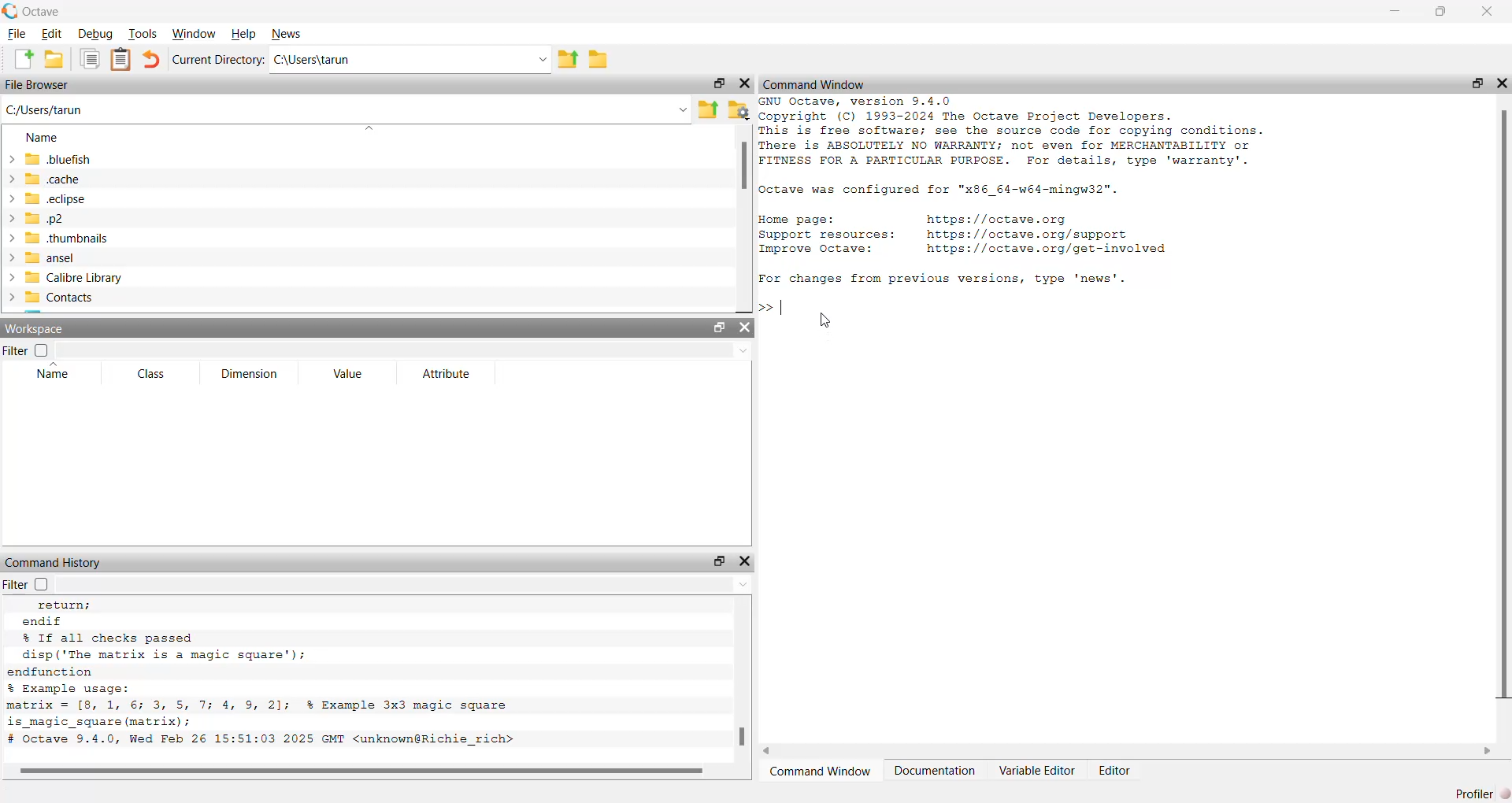 The width and height of the screenshot is (1512, 803). I want to click on Dropdown, so click(684, 111).